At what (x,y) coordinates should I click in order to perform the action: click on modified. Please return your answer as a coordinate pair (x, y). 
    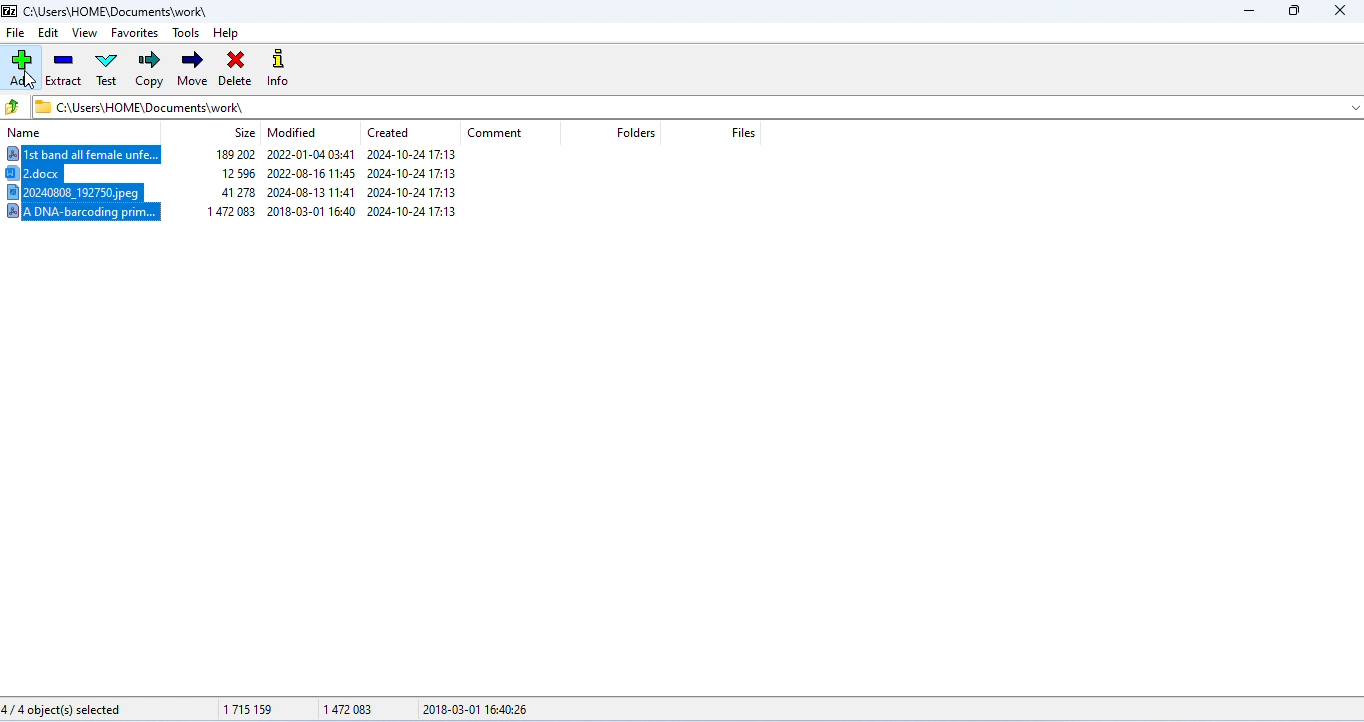
    Looking at the image, I should click on (293, 132).